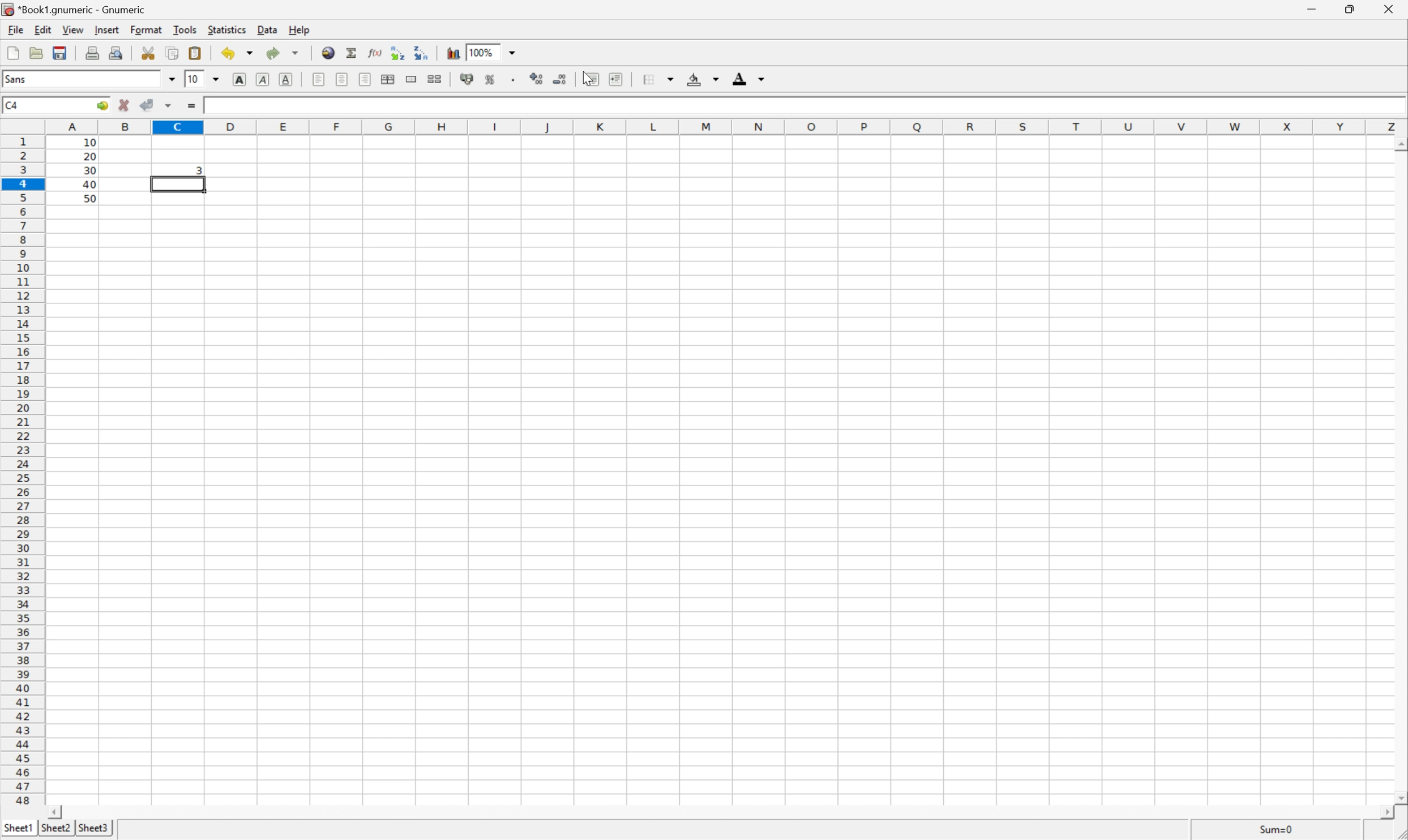  Describe the element at coordinates (1313, 10) in the screenshot. I see `Minimize` at that location.